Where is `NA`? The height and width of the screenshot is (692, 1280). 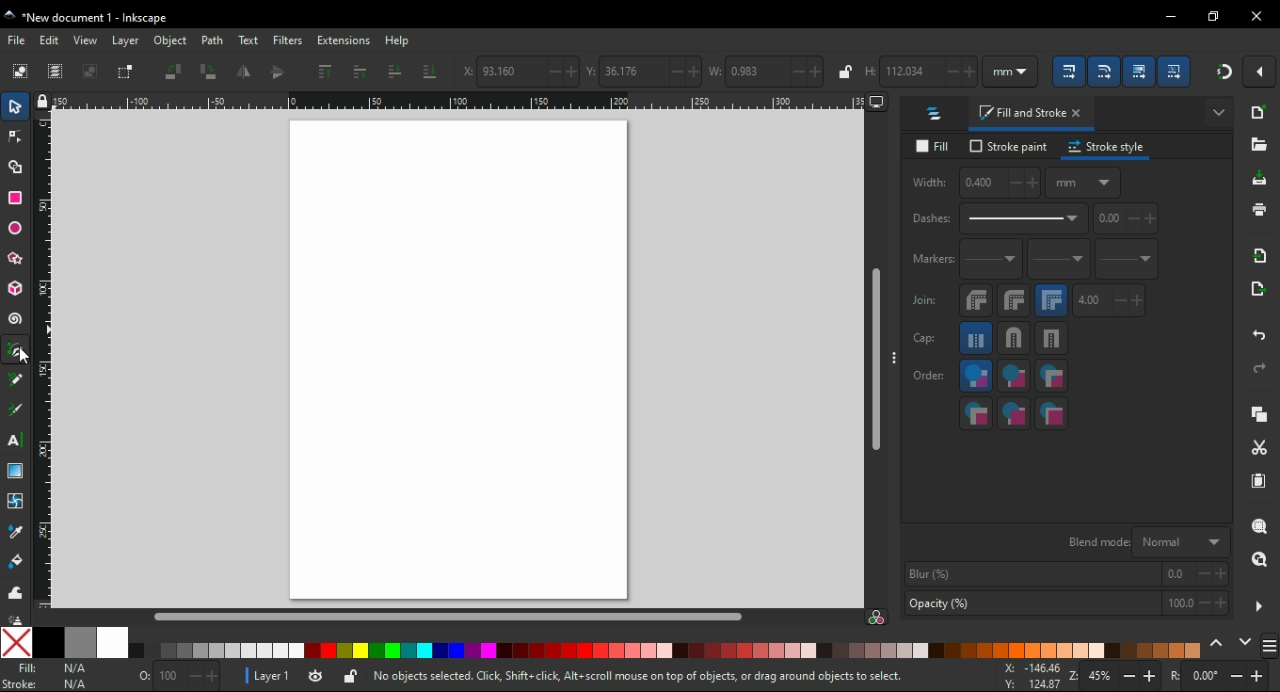 NA is located at coordinates (74, 676).